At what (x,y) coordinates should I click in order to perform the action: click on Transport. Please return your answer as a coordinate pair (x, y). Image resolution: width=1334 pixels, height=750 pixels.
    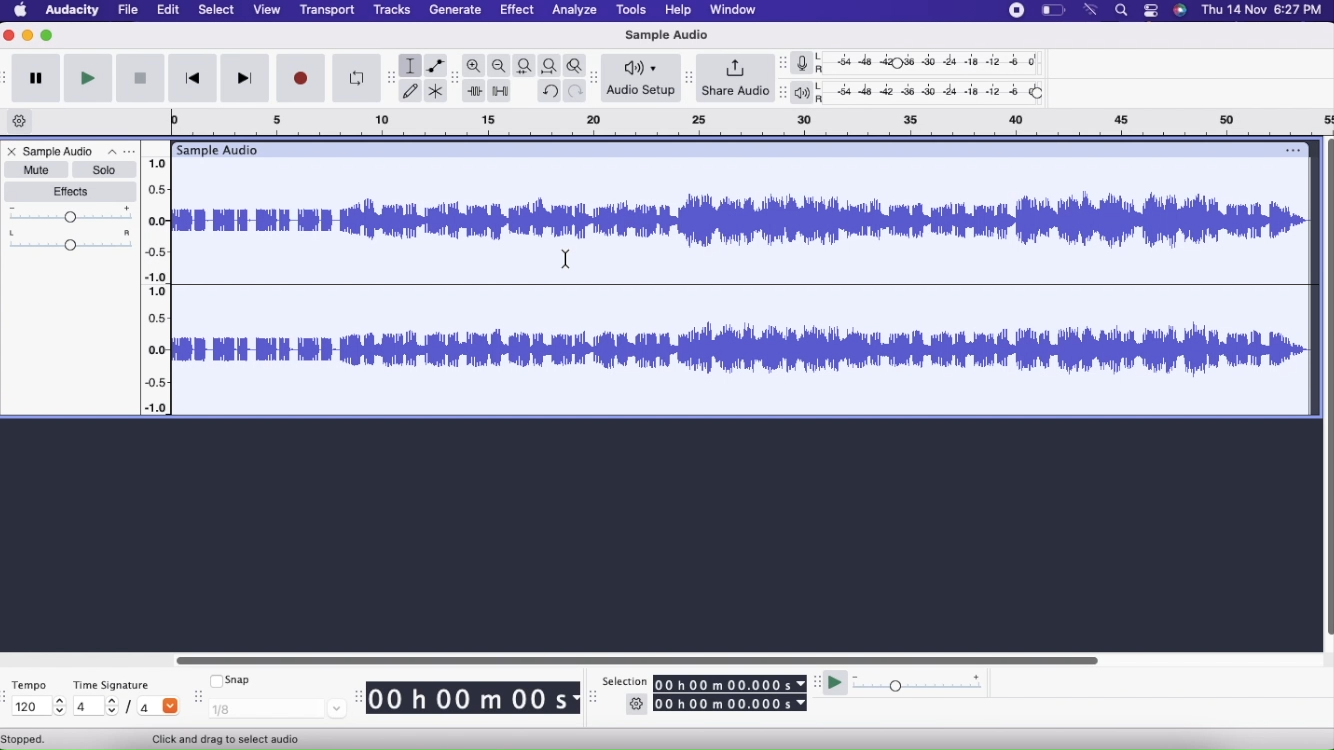
    Looking at the image, I should click on (328, 10).